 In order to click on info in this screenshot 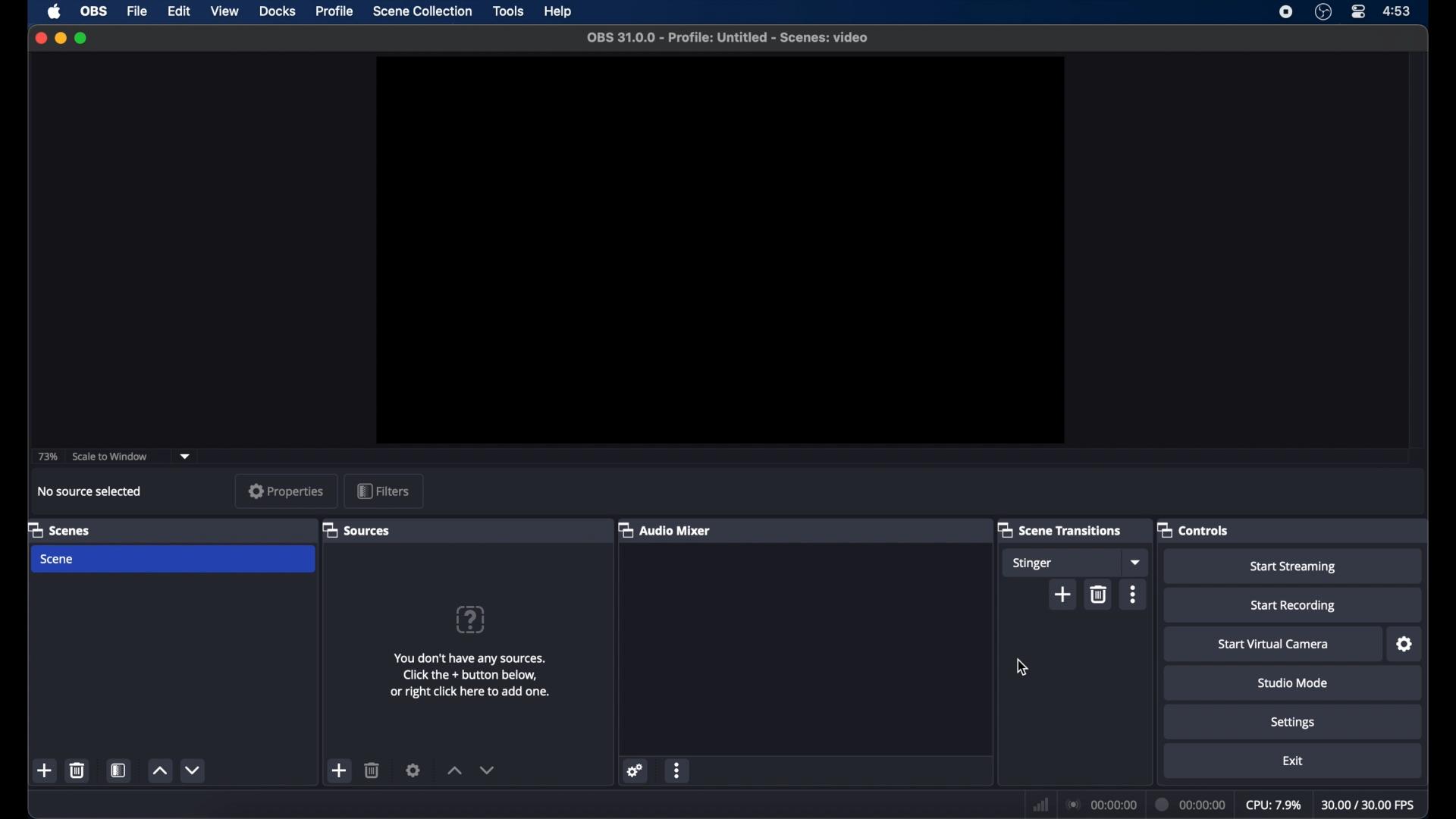, I will do `click(472, 675)`.